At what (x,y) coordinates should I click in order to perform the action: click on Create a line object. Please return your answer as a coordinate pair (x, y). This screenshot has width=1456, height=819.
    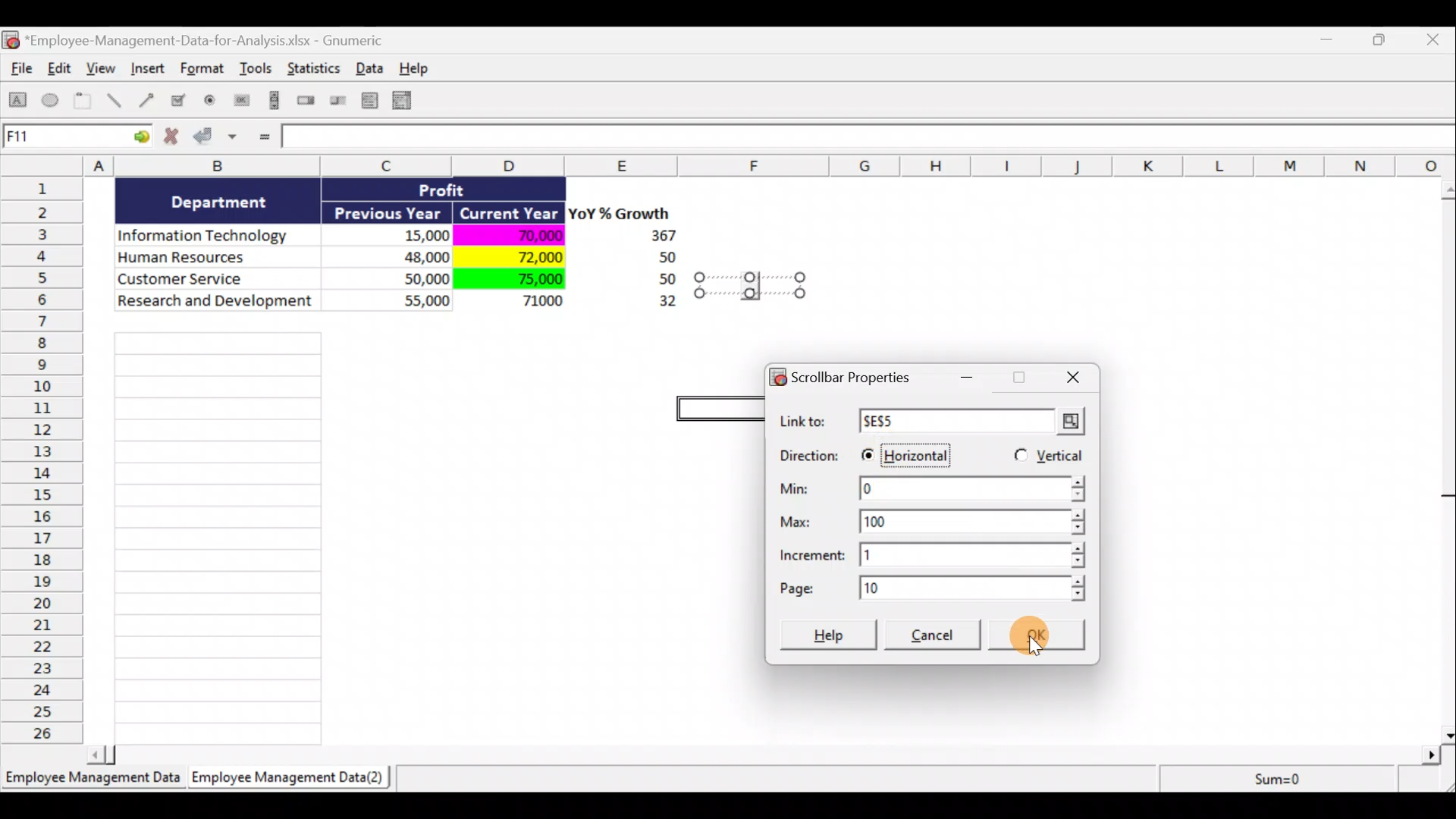
    Looking at the image, I should click on (117, 101).